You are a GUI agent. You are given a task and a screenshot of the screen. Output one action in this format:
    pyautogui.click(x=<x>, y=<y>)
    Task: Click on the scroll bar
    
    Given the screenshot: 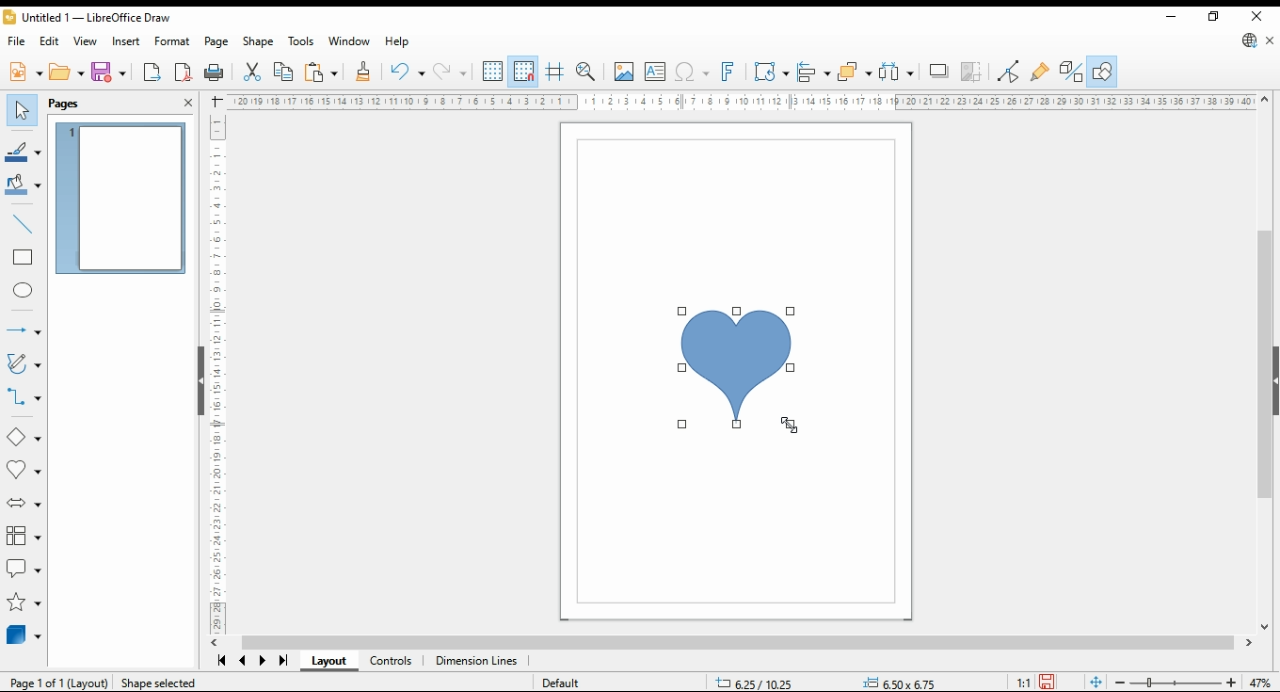 What is the action you would take?
    pyautogui.click(x=735, y=643)
    